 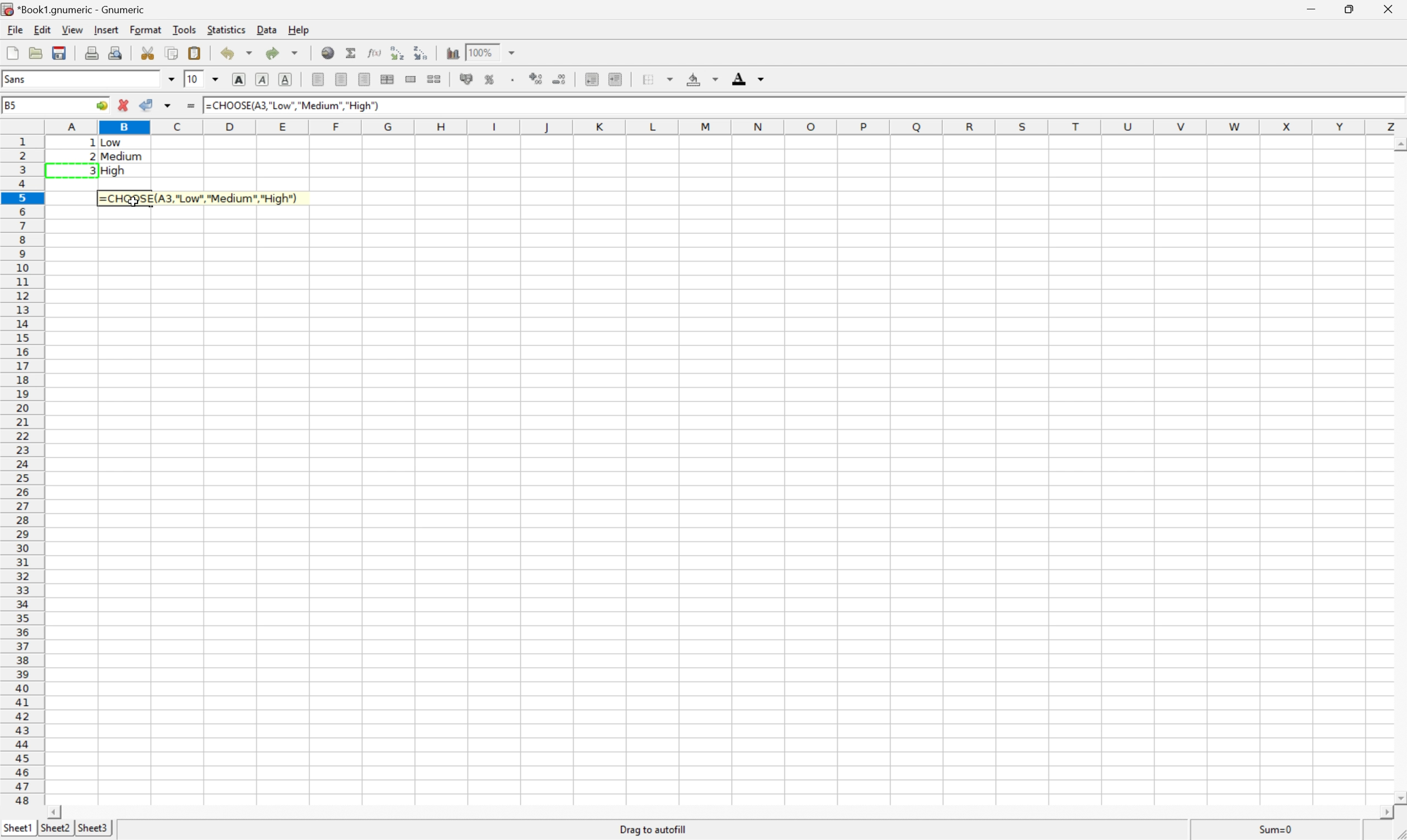 What do you see at coordinates (92, 170) in the screenshot?
I see `3` at bounding box center [92, 170].